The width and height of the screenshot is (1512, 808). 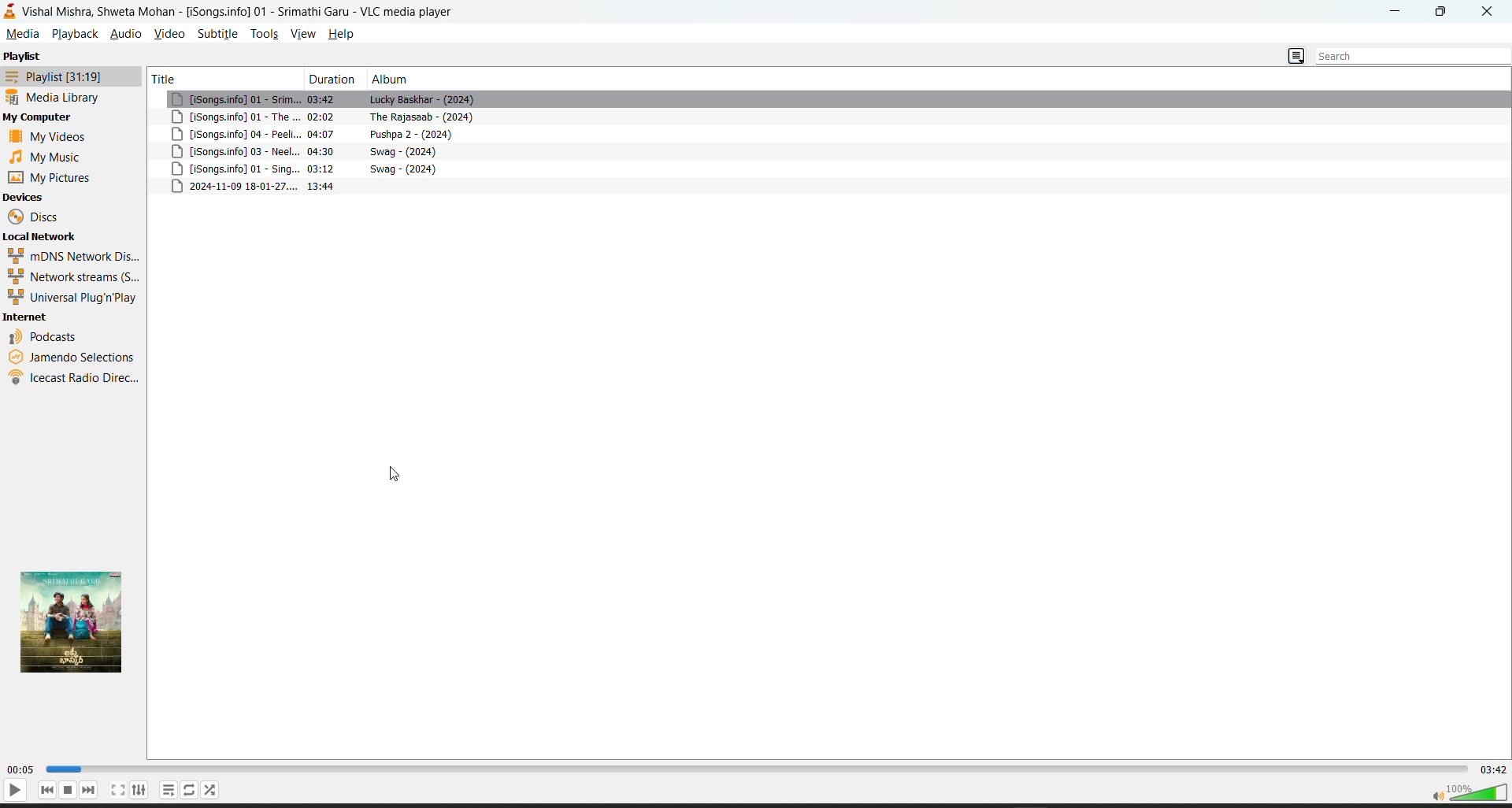 I want to click on 2024-11-09 18-01-27, so click(x=232, y=187).